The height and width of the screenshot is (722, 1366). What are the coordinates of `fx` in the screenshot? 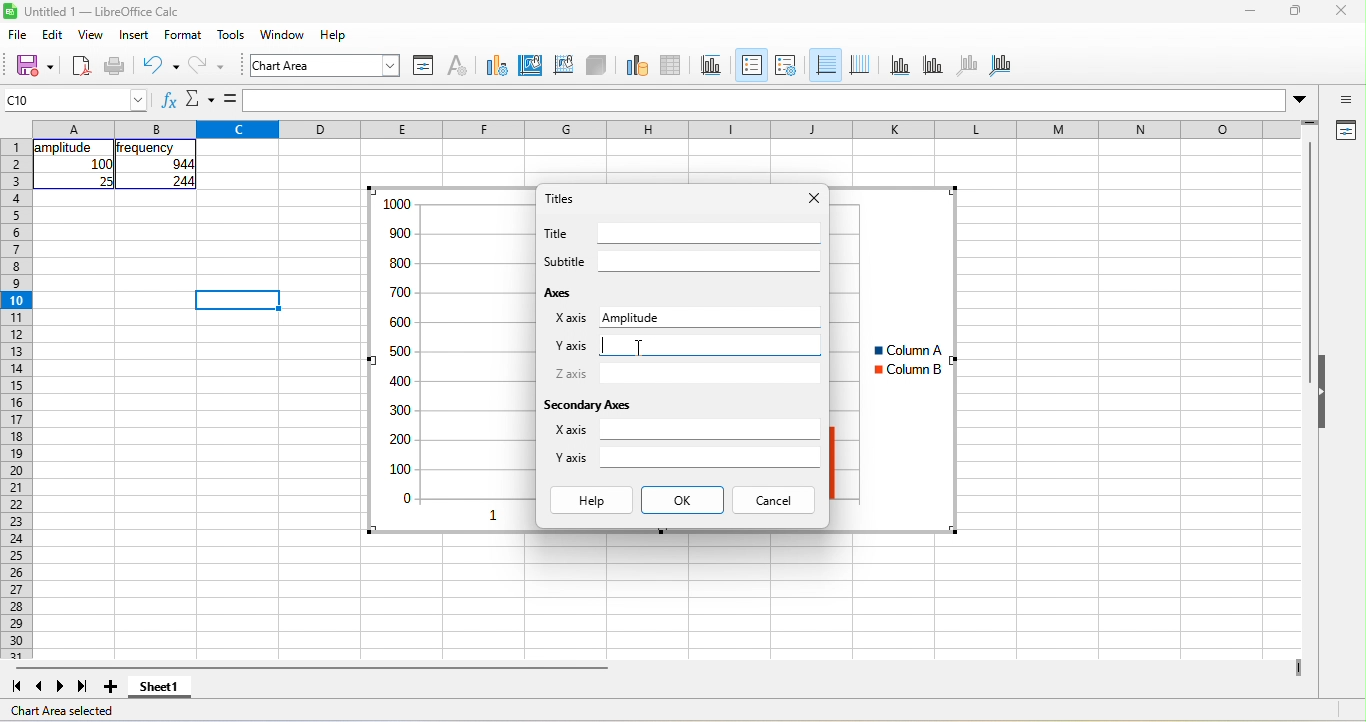 It's located at (170, 99).